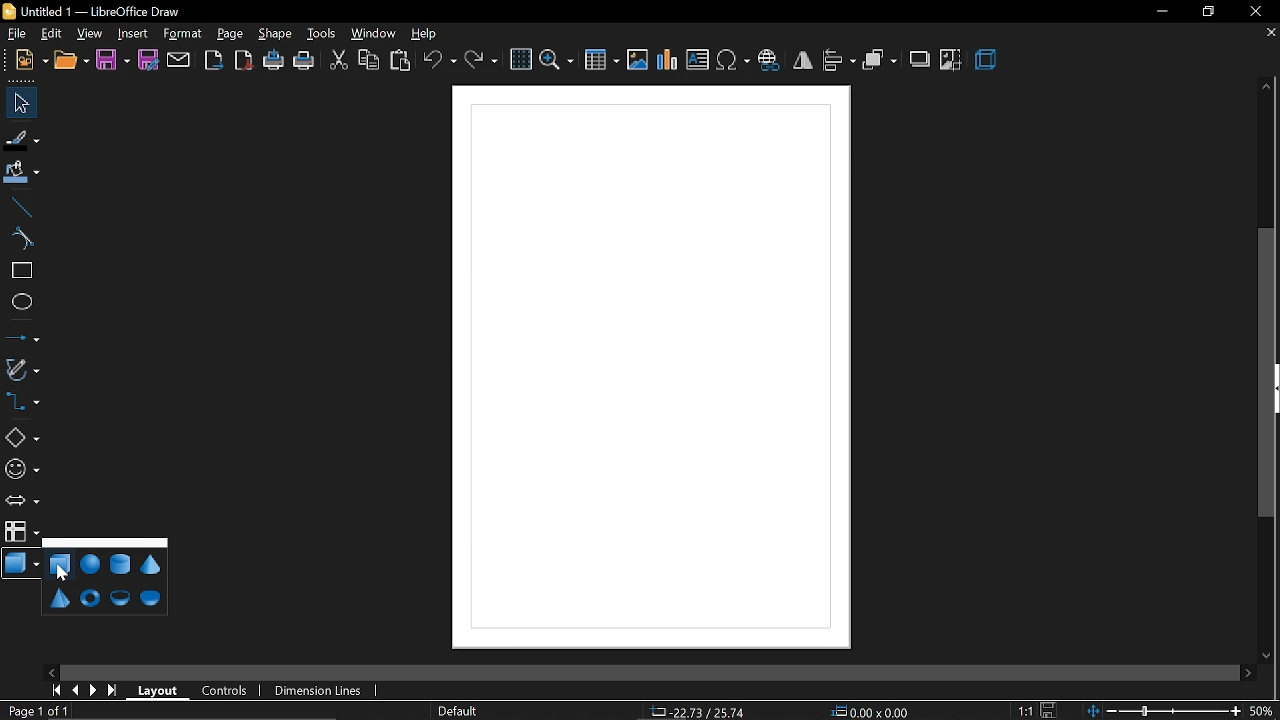 The height and width of the screenshot is (720, 1280). Describe the element at coordinates (180, 60) in the screenshot. I see `attach` at that location.